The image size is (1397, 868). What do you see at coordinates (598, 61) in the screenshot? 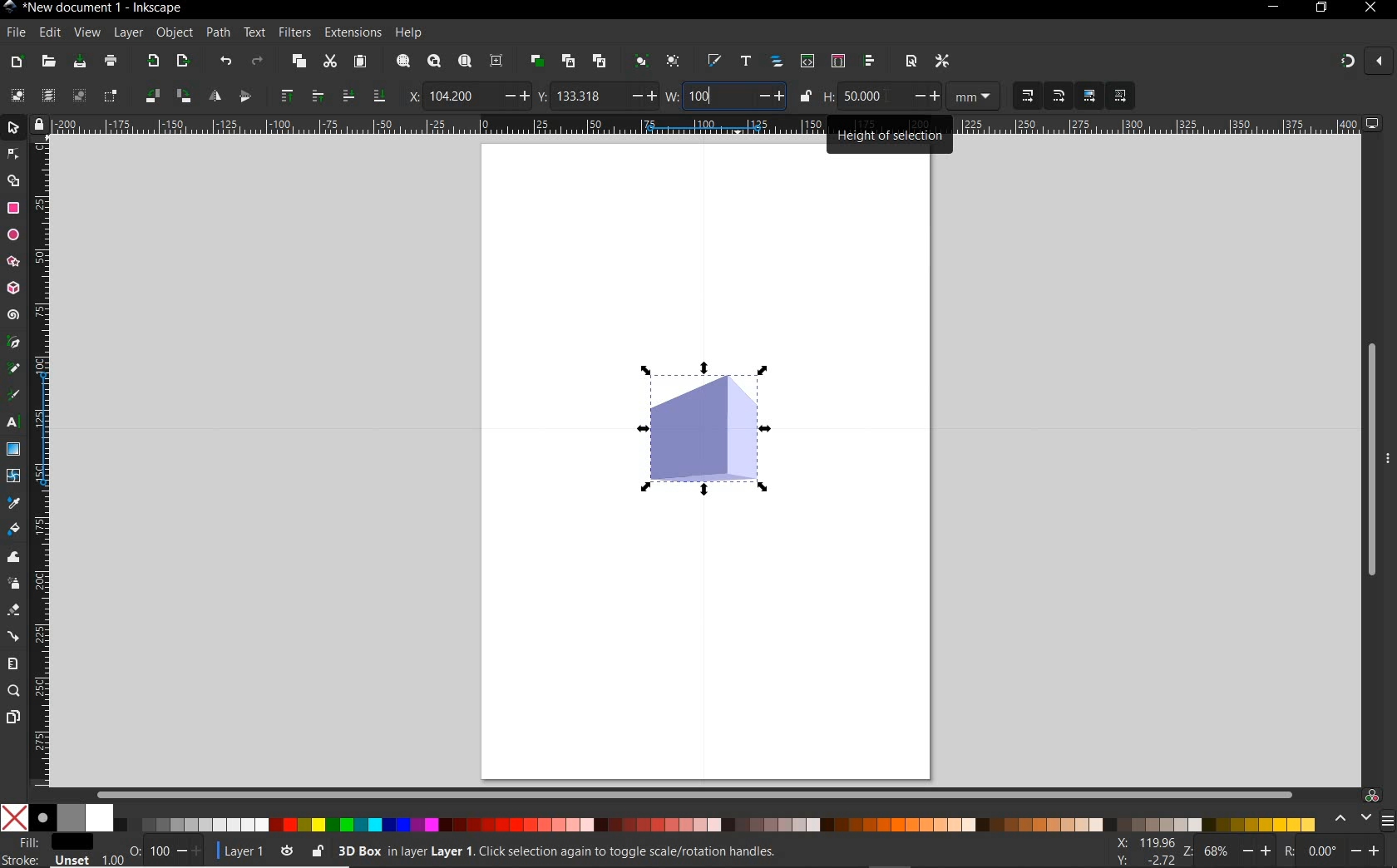
I see `unlink clone` at bounding box center [598, 61].